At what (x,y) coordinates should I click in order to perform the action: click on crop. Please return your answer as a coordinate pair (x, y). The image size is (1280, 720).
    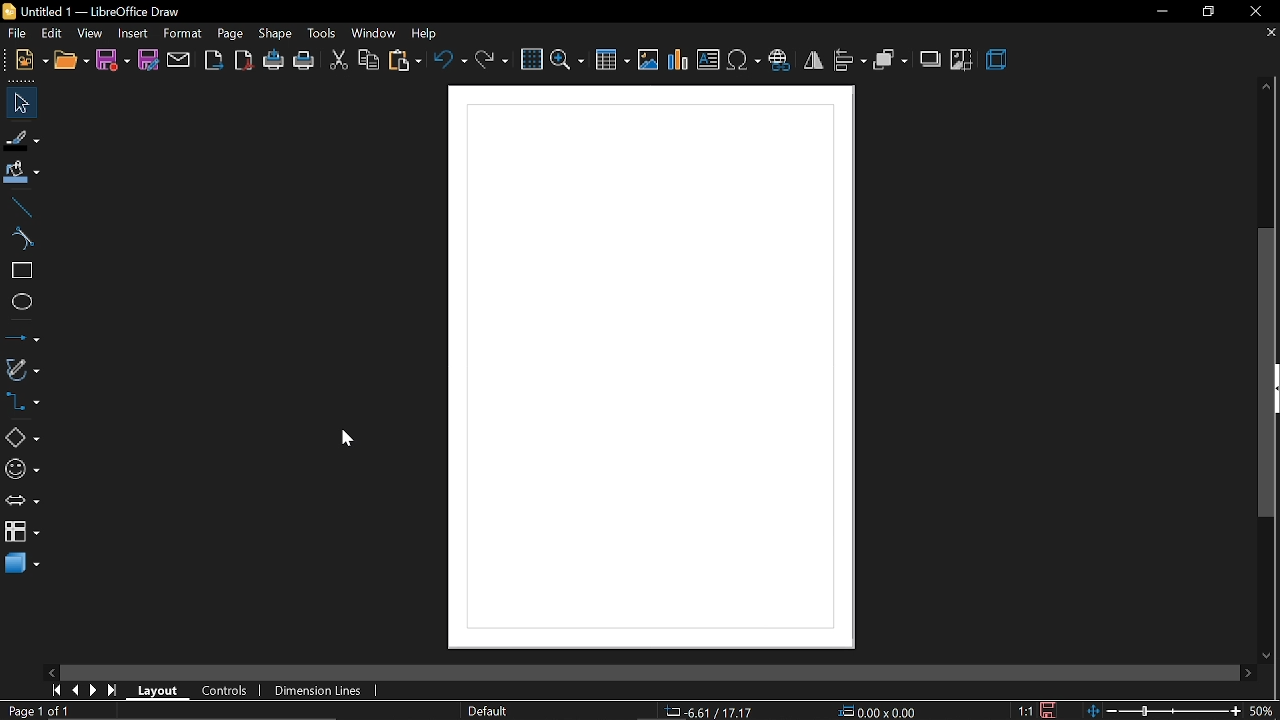
    Looking at the image, I should click on (961, 62).